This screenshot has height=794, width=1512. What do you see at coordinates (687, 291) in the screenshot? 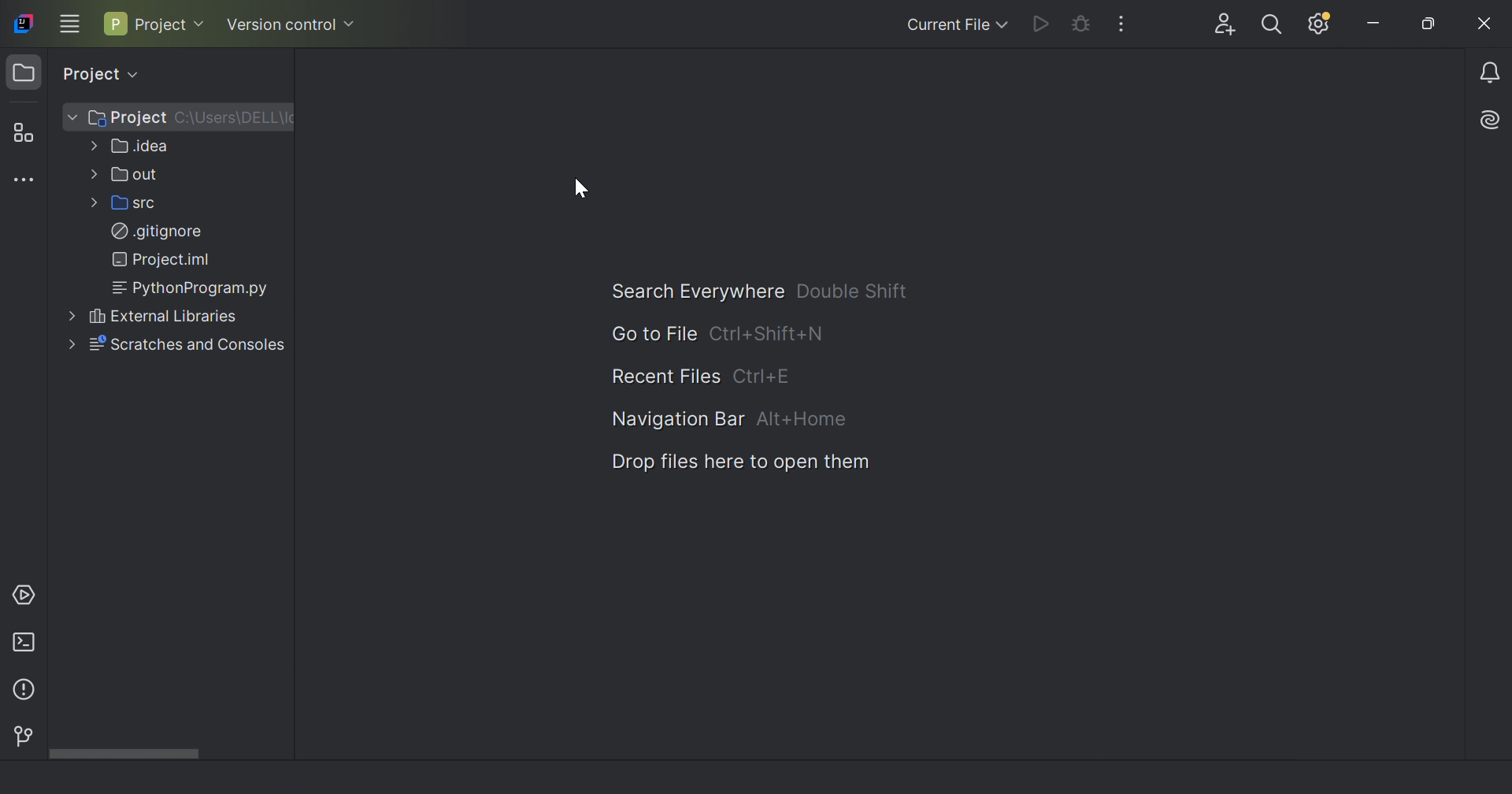
I see `Search everywhere` at bounding box center [687, 291].